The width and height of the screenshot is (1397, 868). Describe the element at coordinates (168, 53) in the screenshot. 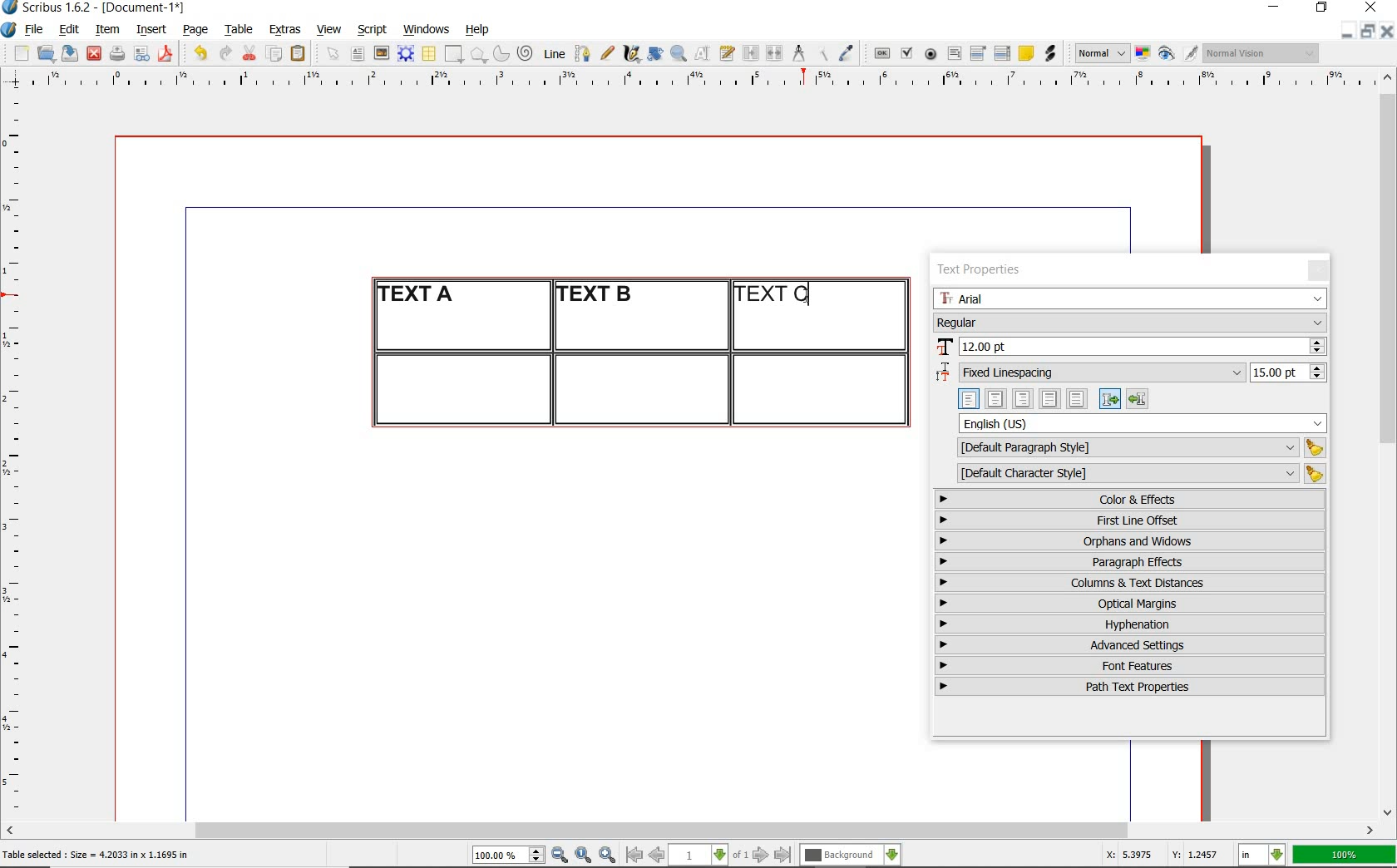

I see `save as pdf` at that location.